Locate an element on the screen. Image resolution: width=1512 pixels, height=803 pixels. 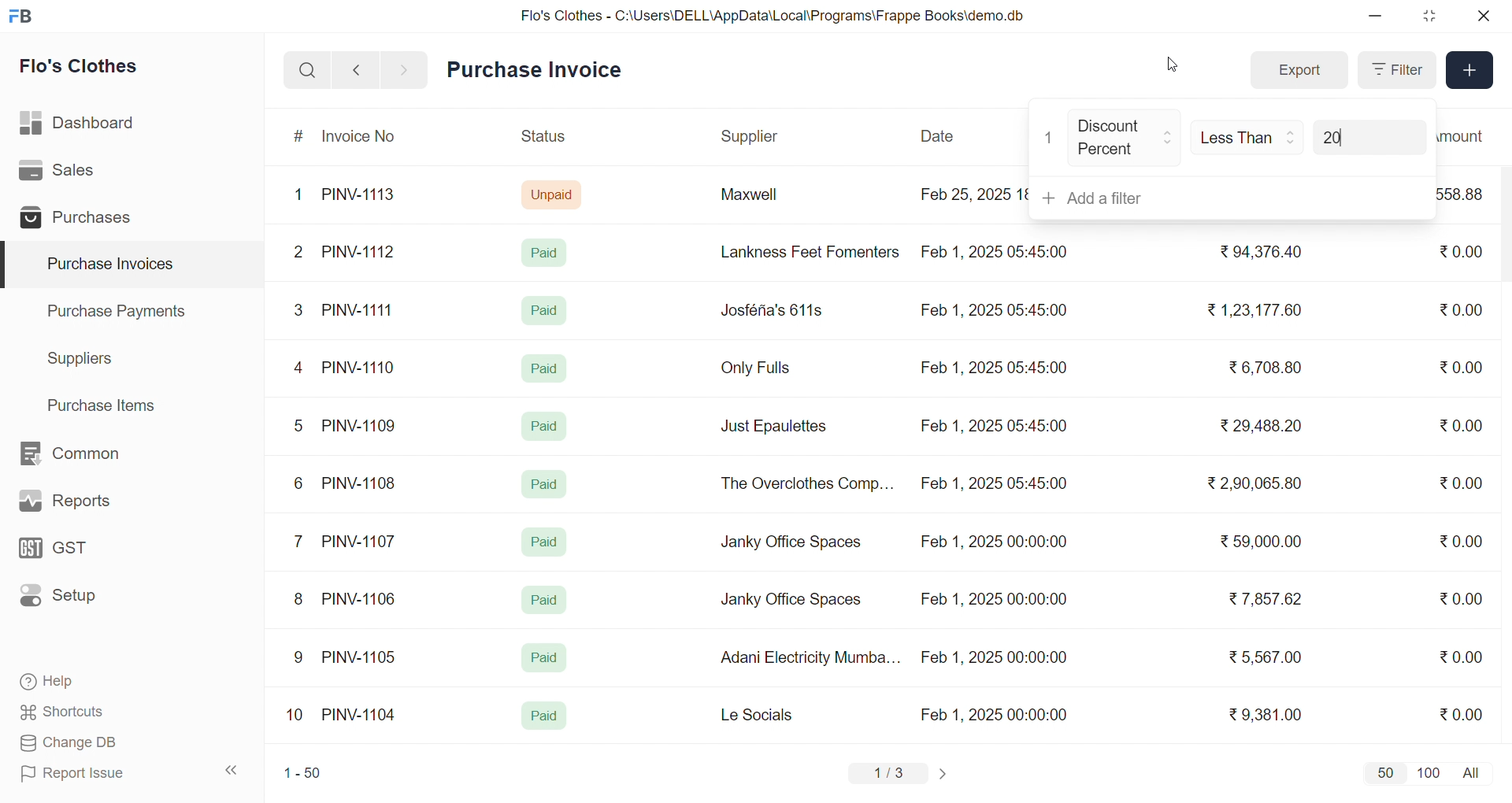
₹0.00 is located at coordinates (1466, 539).